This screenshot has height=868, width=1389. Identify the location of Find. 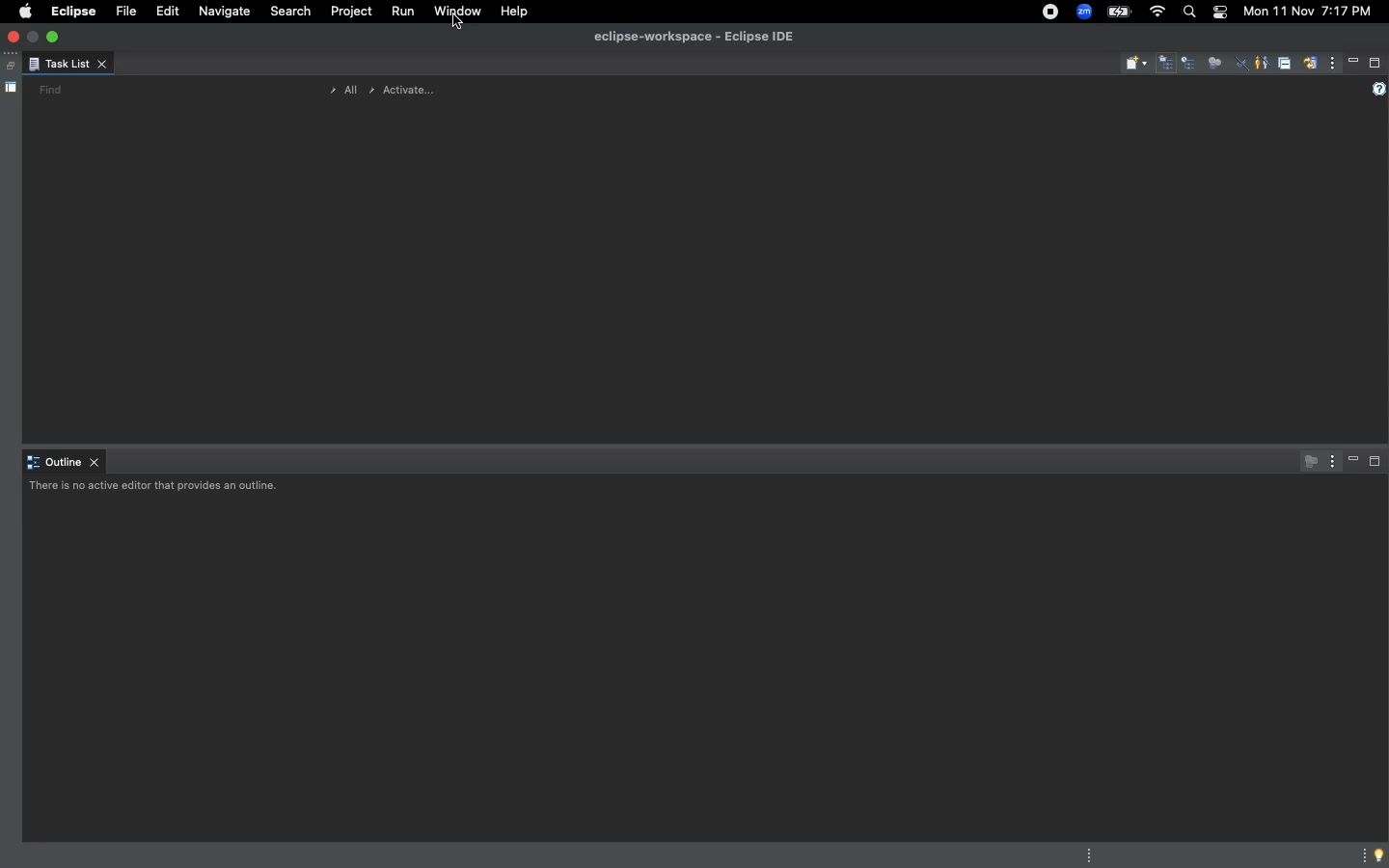
(50, 90).